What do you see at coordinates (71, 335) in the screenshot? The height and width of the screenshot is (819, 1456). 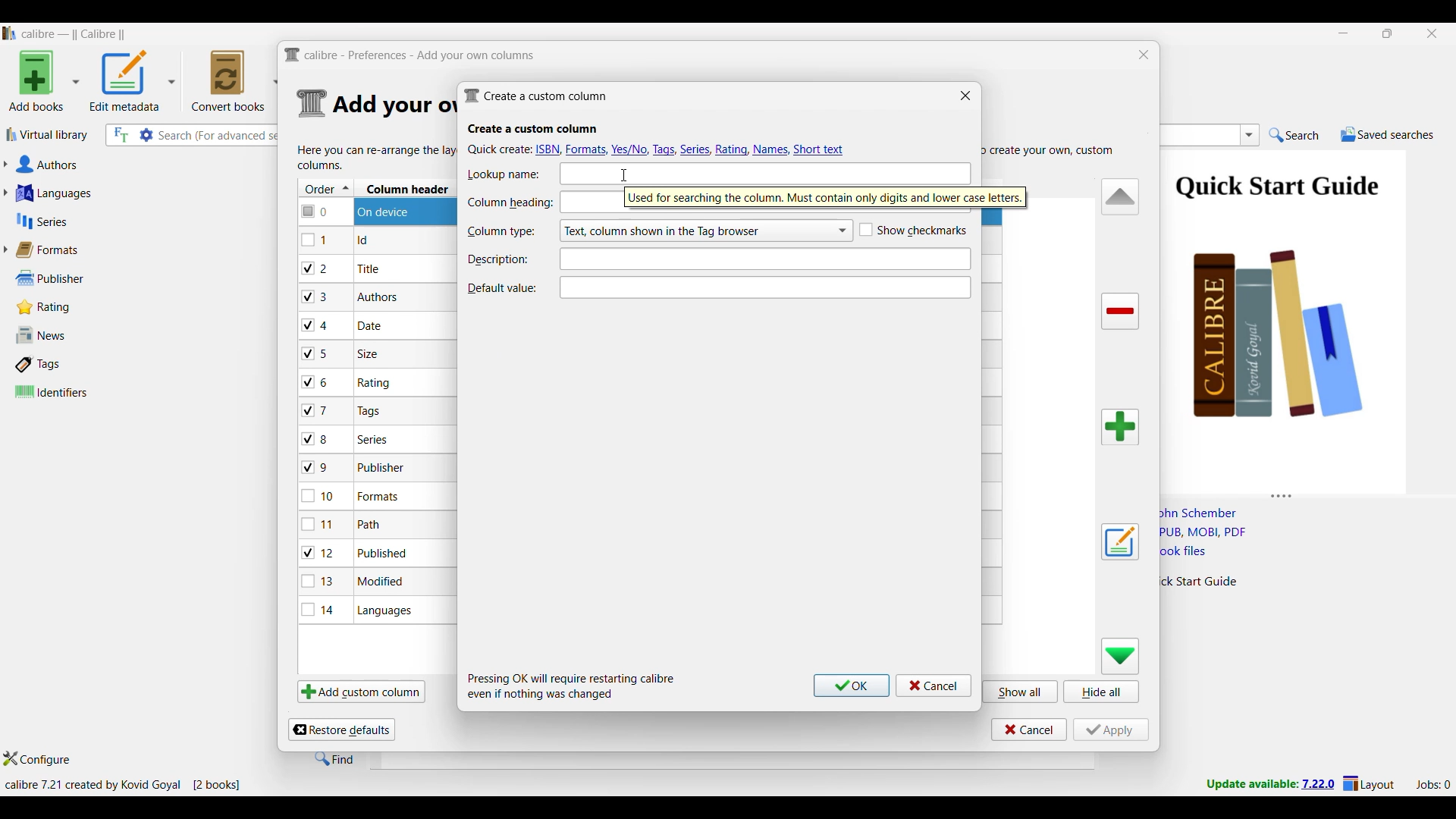 I see `News` at bounding box center [71, 335].